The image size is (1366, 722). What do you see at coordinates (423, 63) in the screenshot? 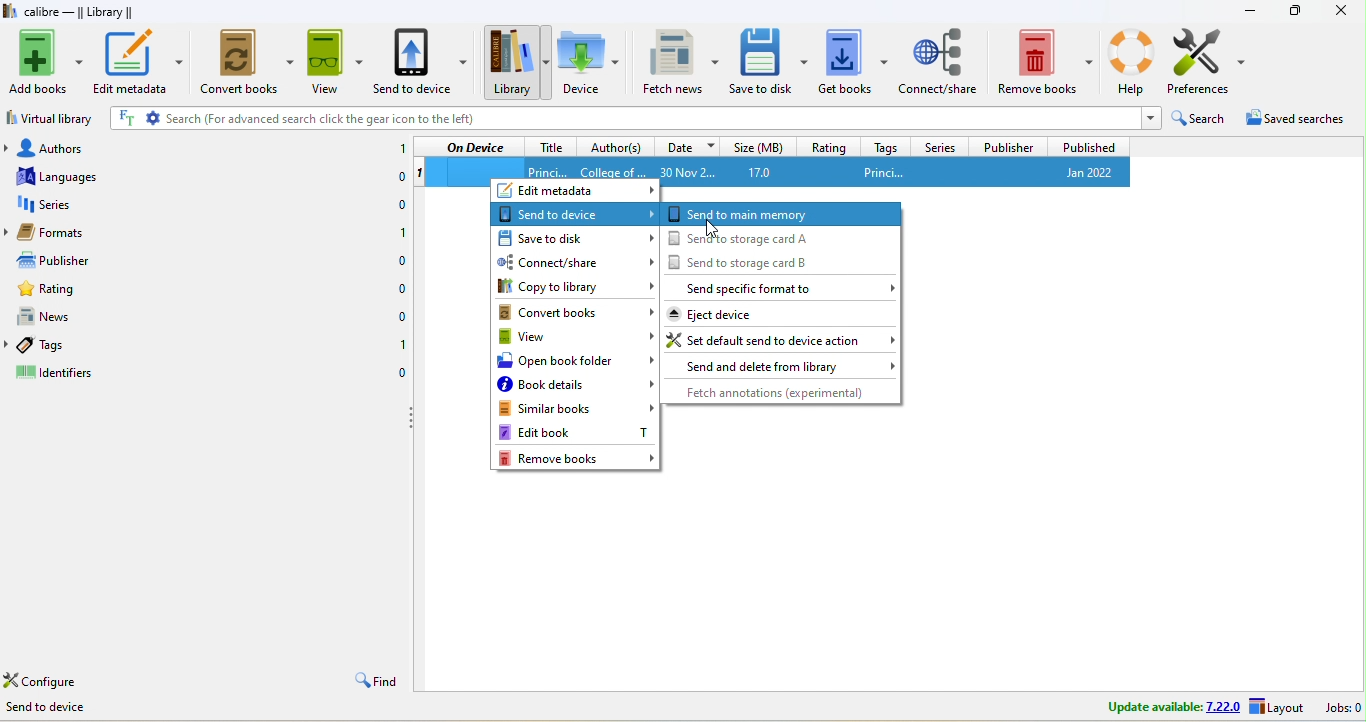
I see `send to device` at bounding box center [423, 63].